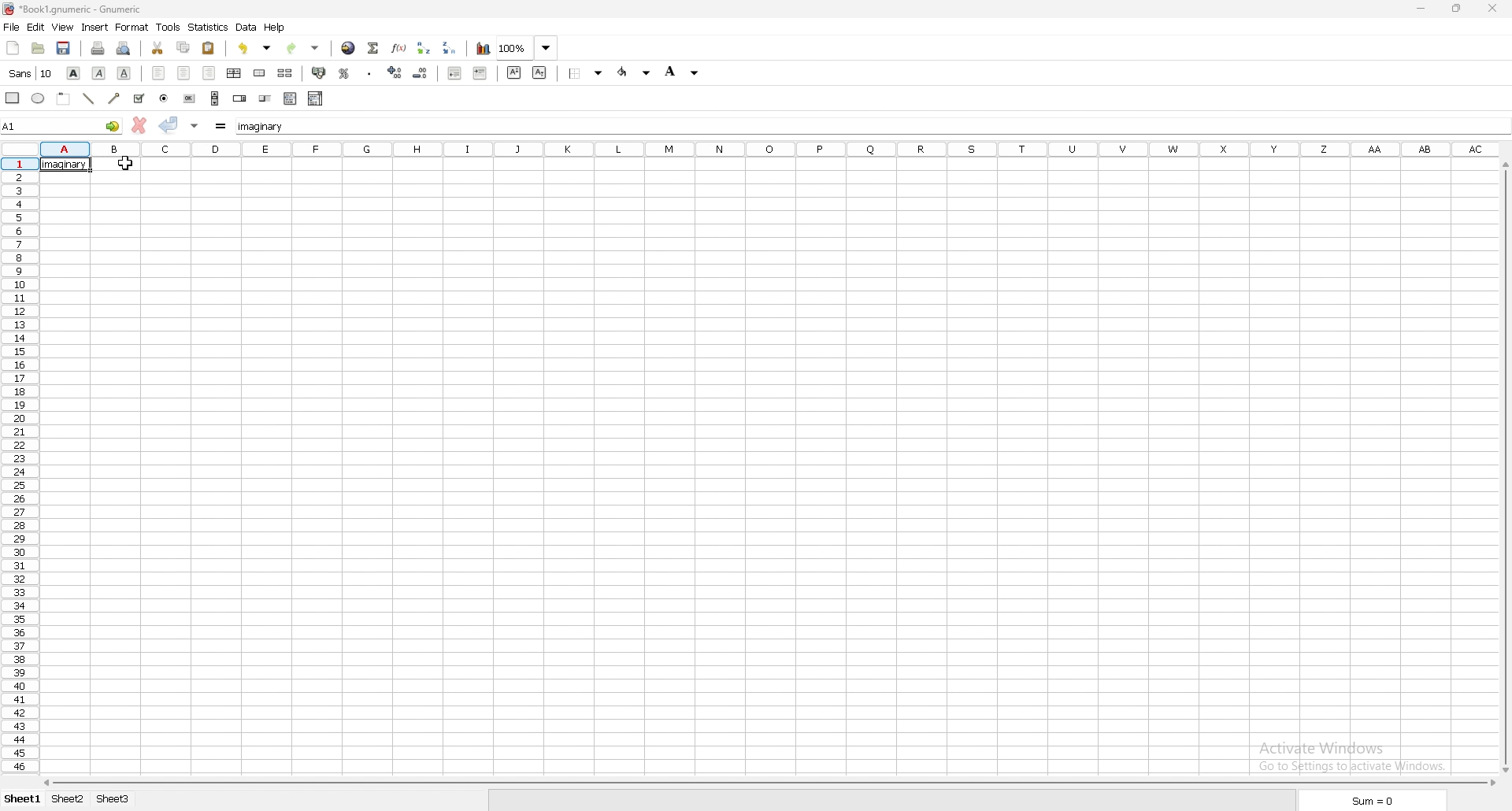  Describe the element at coordinates (98, 47) in the screenshot. I see `print` at that location.